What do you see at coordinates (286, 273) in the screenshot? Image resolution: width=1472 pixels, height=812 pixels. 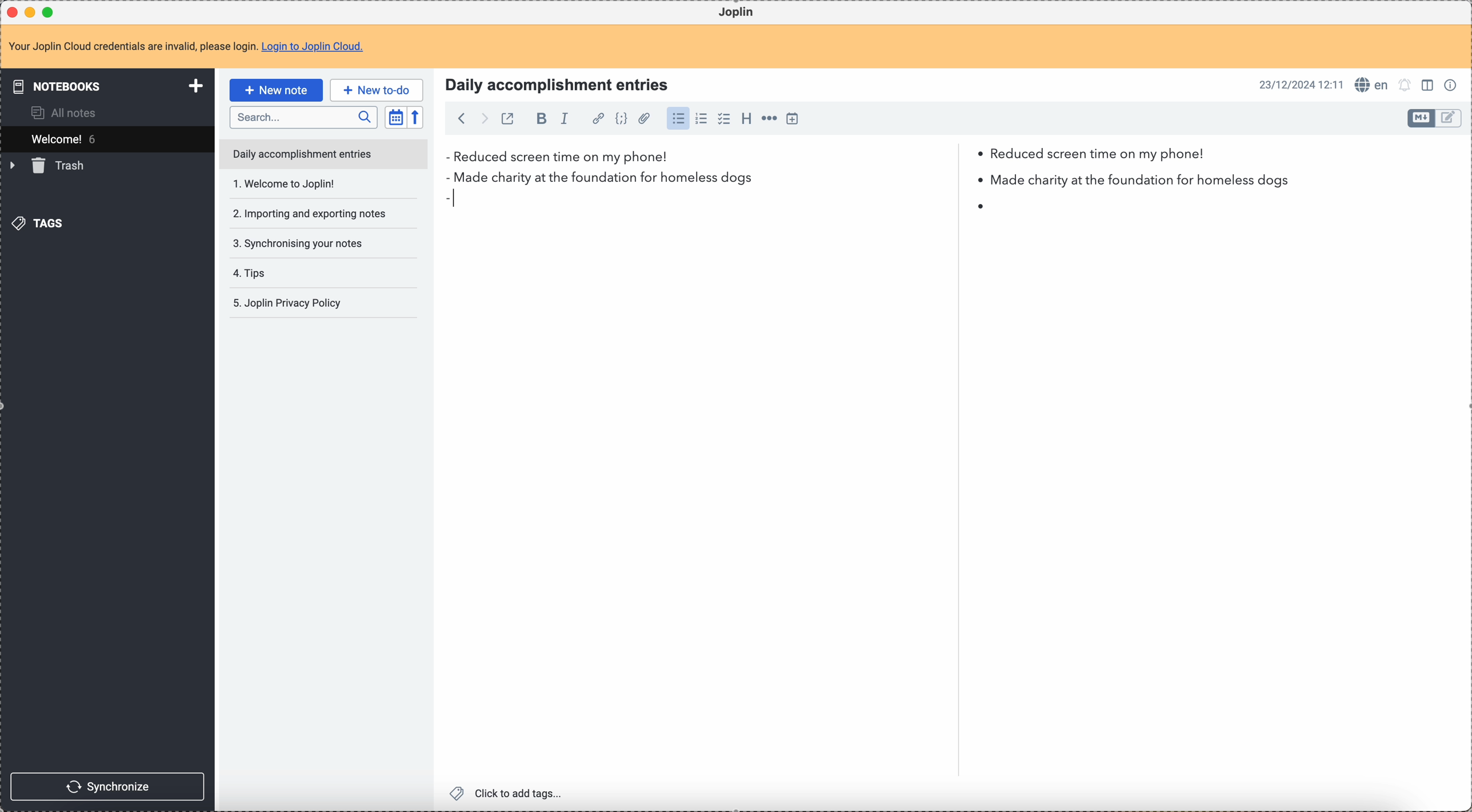 I see `Joplin privacy policy` at bounding box center [286, 273].